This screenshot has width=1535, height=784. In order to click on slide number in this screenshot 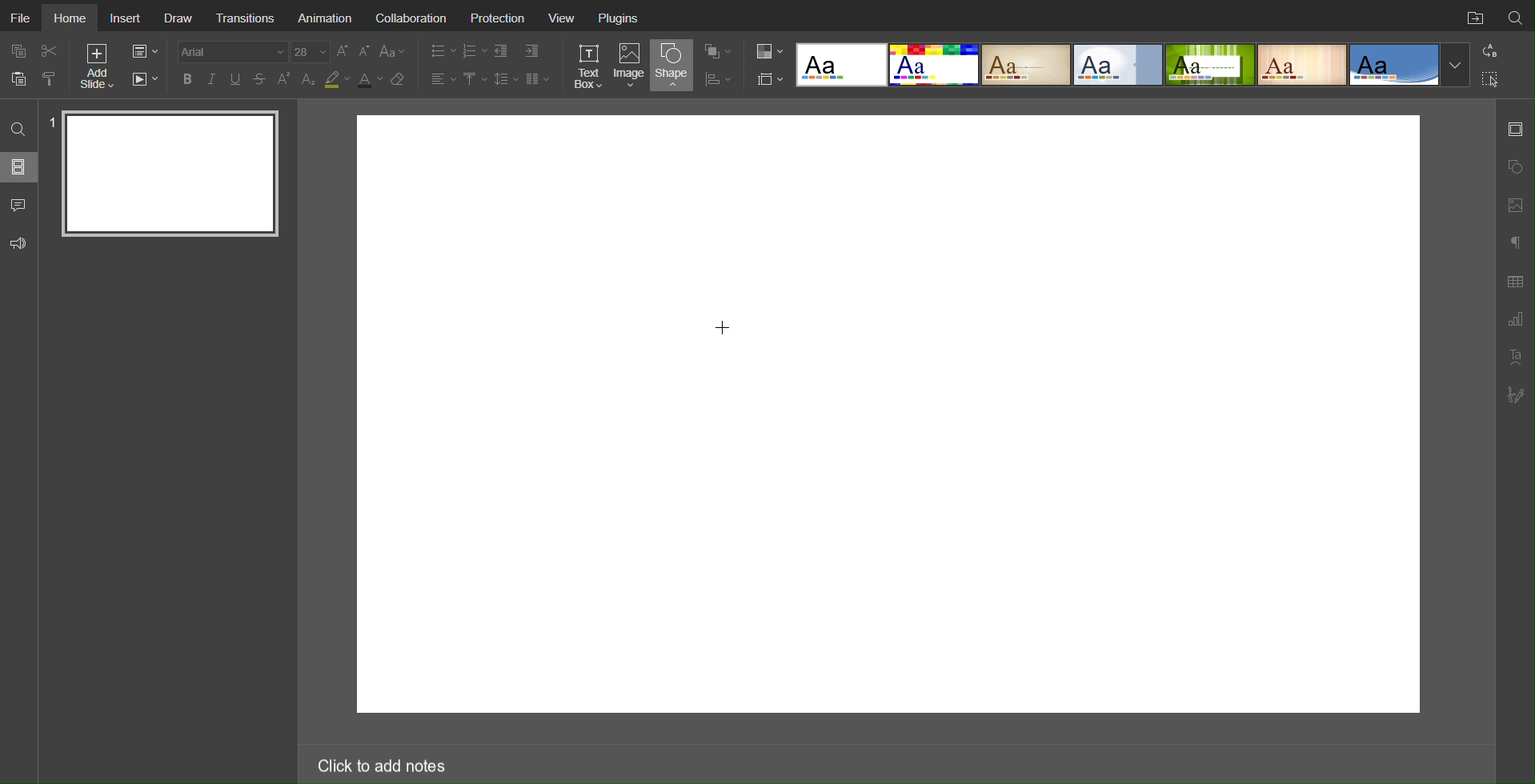, I will do `click(53, 120)`.